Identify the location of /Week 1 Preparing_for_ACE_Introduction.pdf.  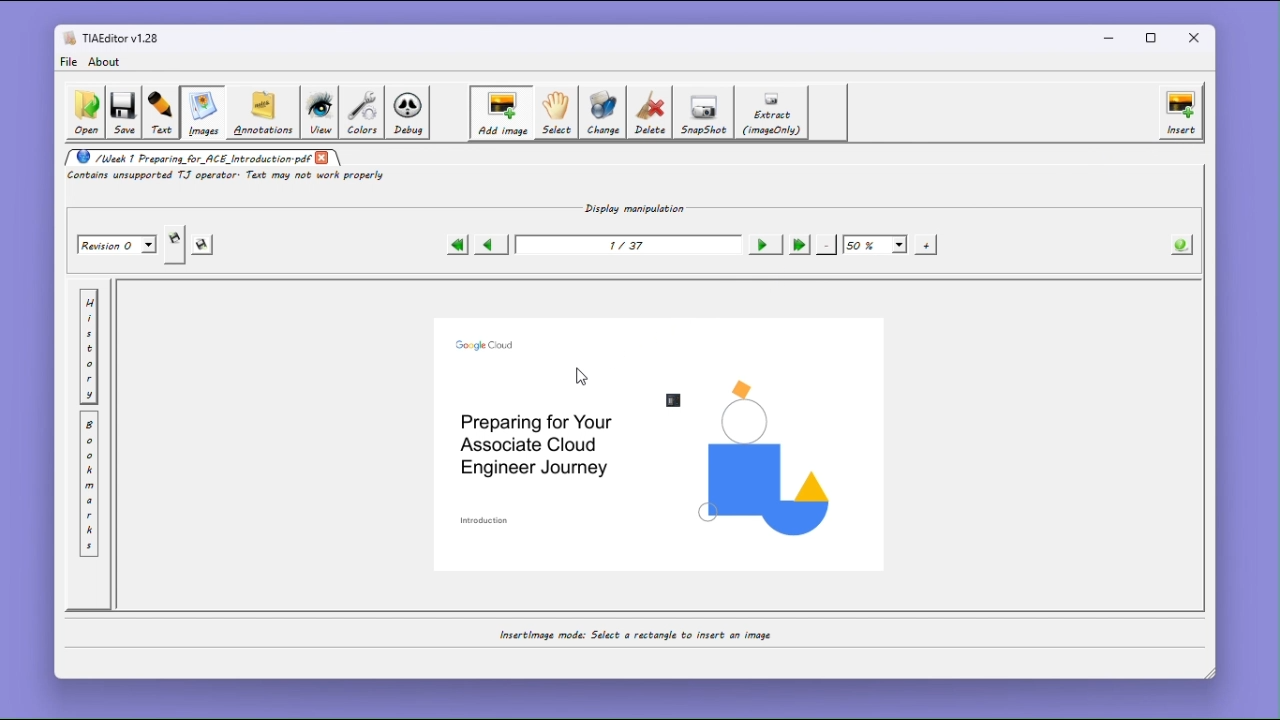
(188, 157).